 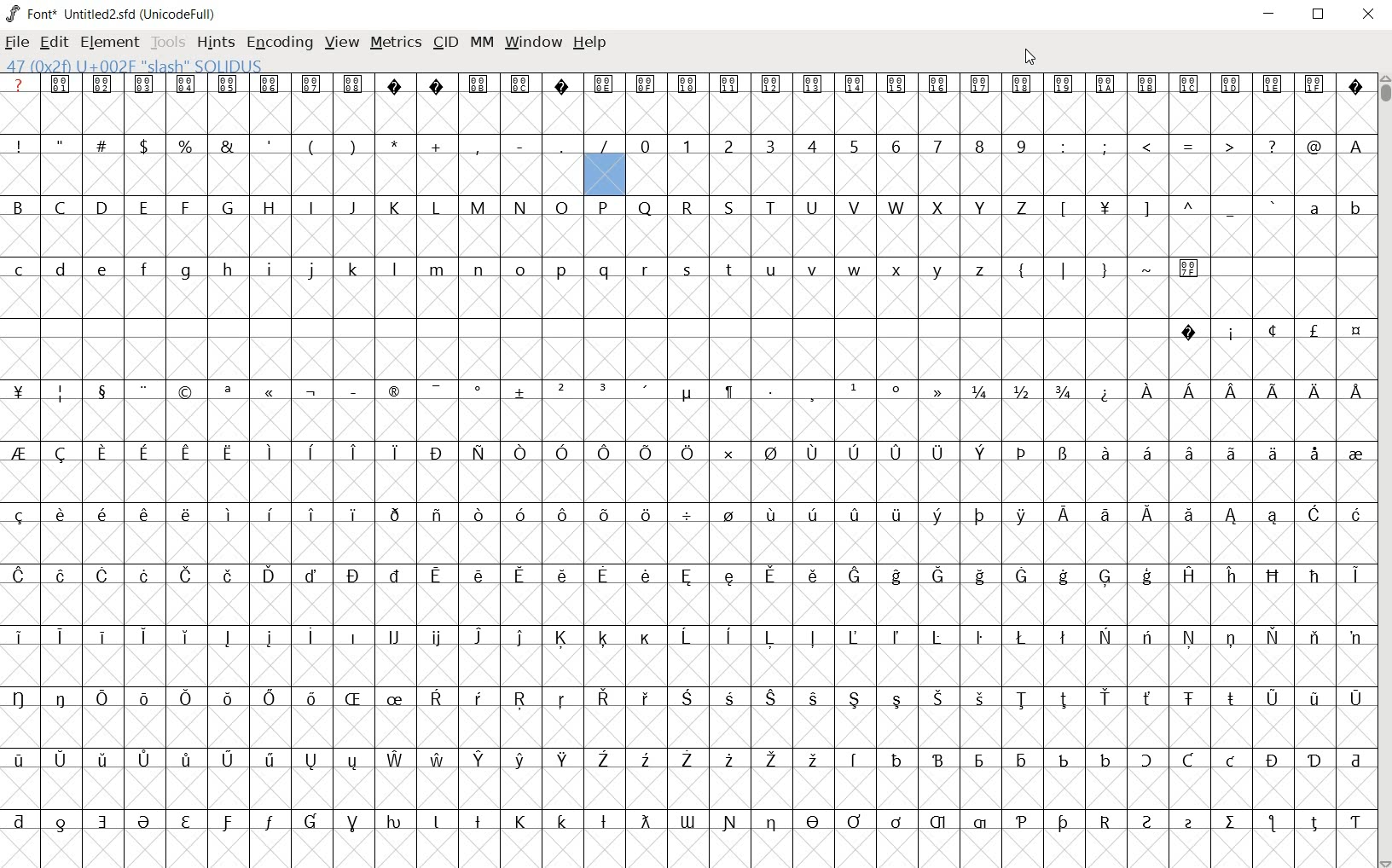 I want to click on empty cells, so click(x=689, y=605).